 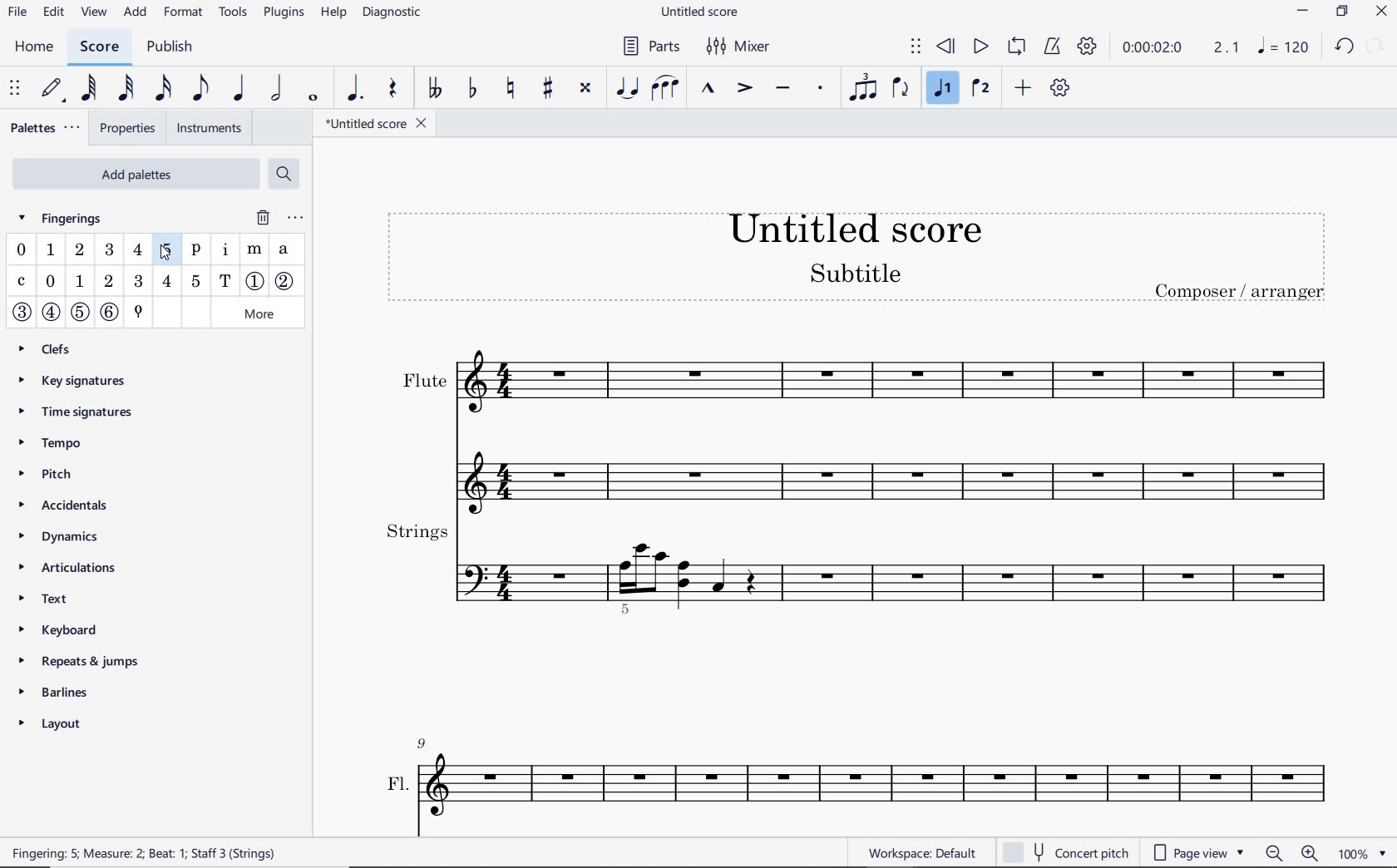 I want to click on rewind, so click(x=946, y=45).